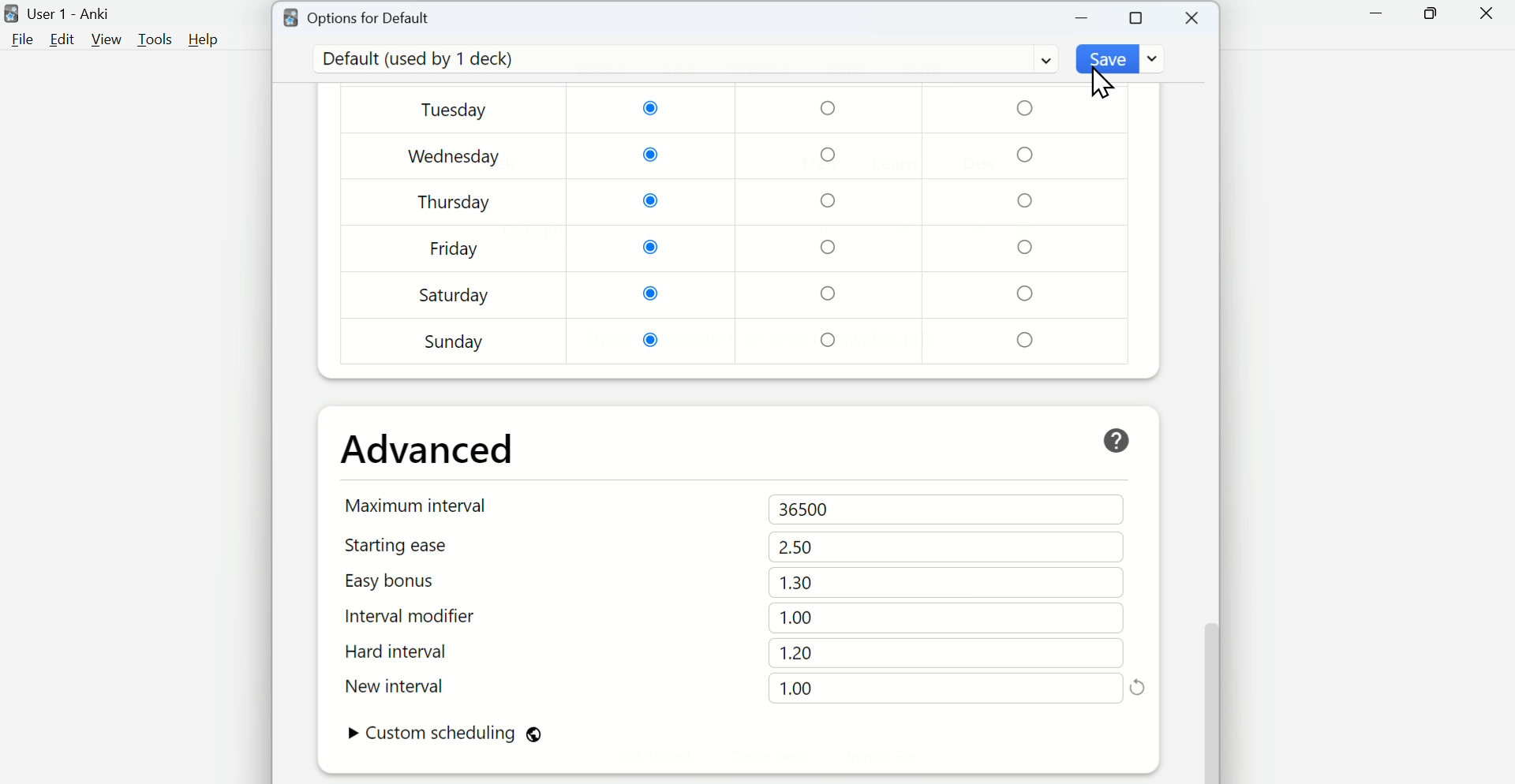  What do you see at coordinates (832, 225) in the screenshot?
I see `Checkboxes` at bounding box center [832, 225].